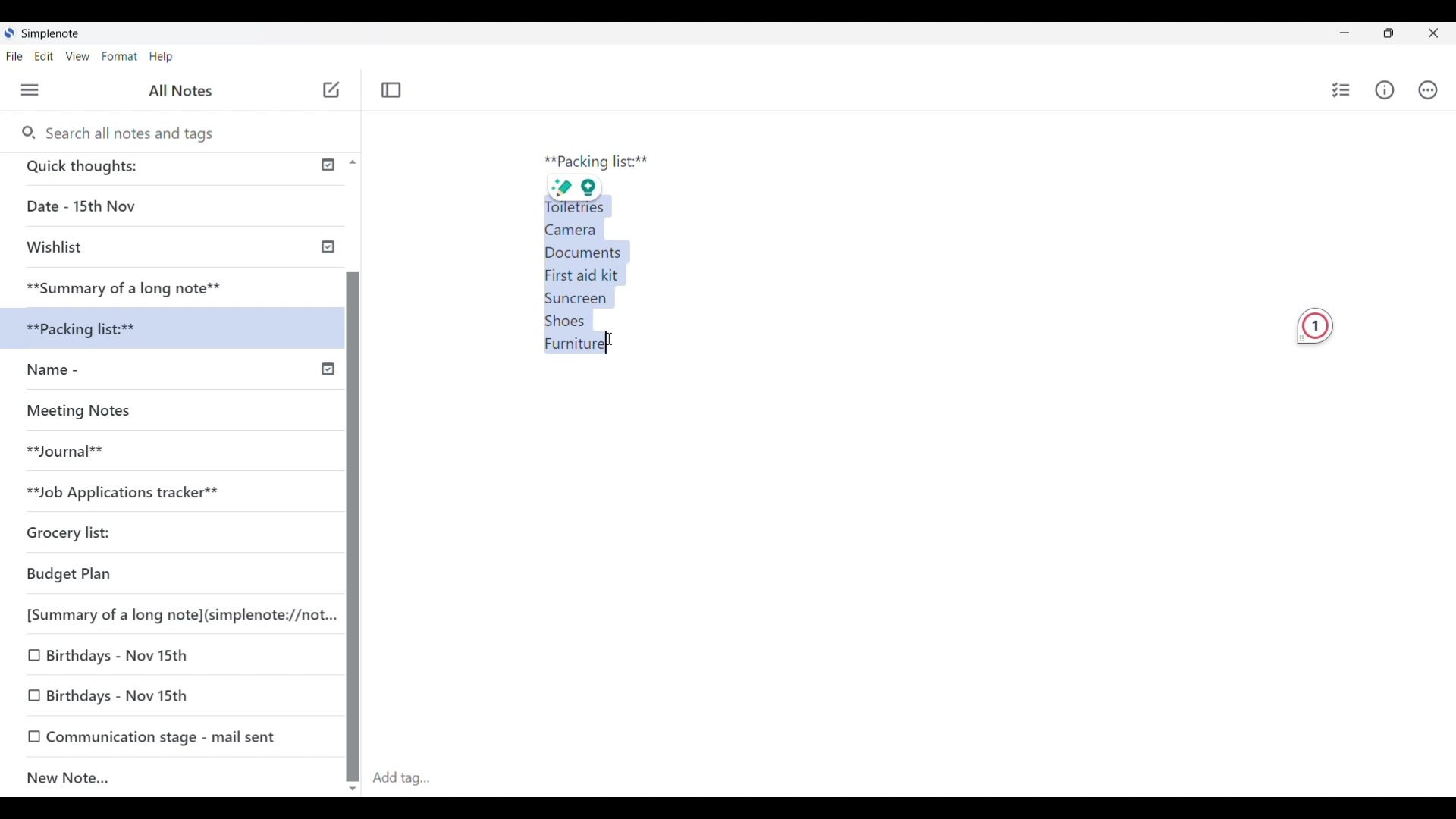 The width and height of the screenshot is (1456, 819). I want to click on Help menu, so click(162, 56).